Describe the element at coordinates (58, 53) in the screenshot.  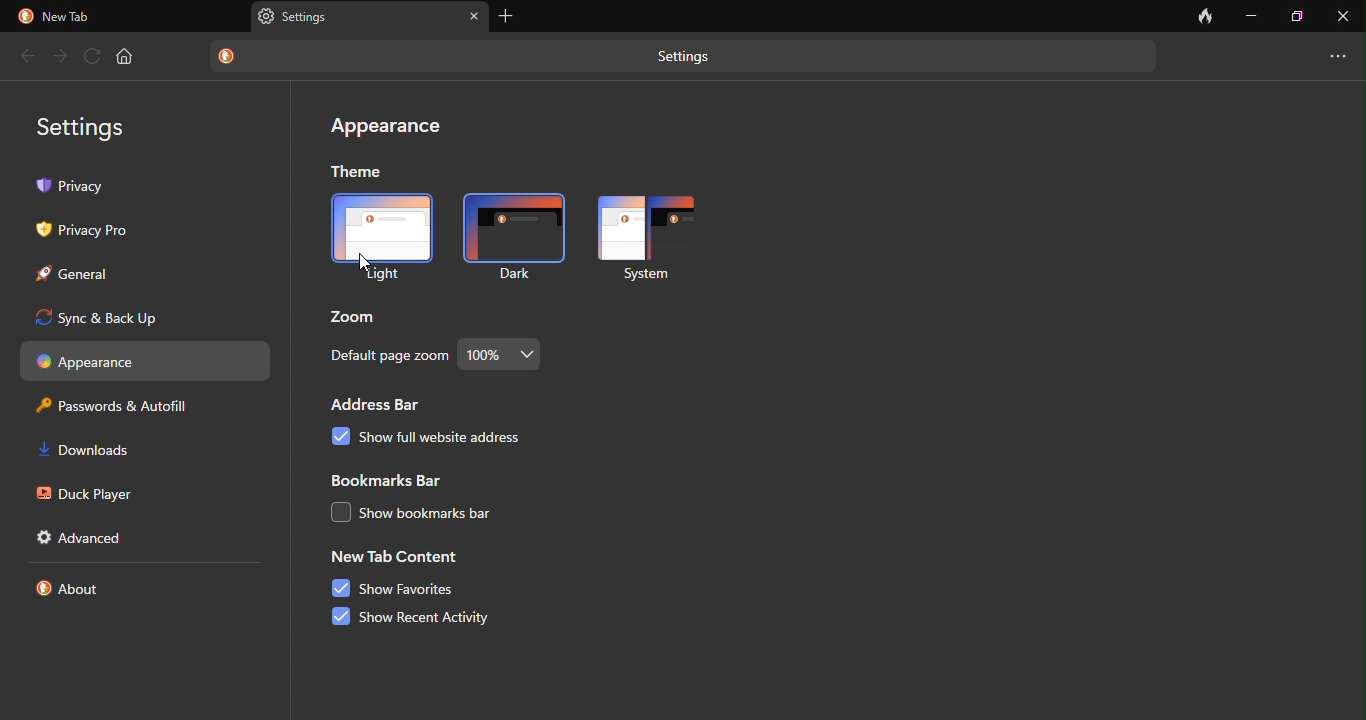
I see `forward` at that location.